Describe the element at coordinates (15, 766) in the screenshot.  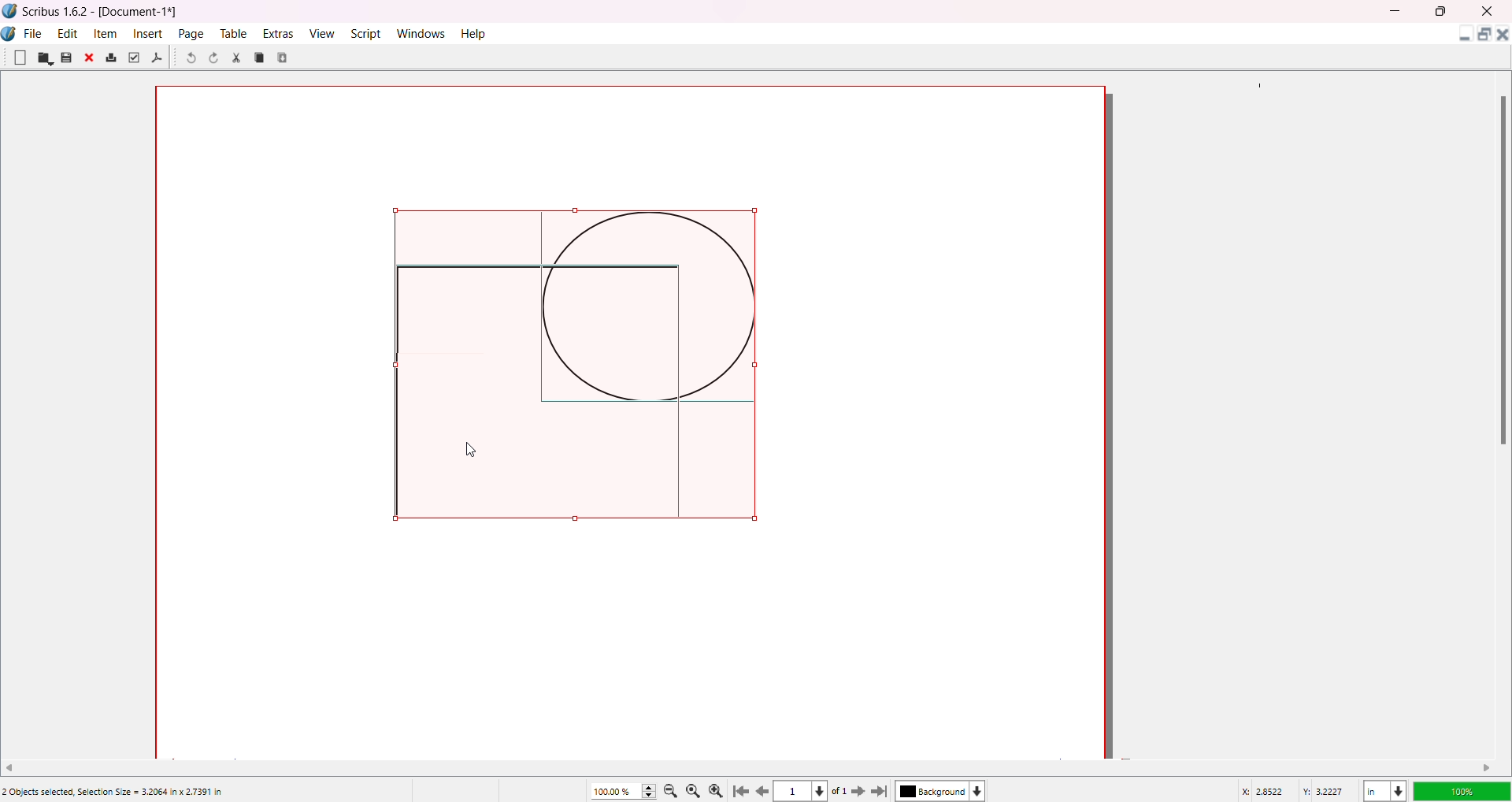
I see `Move Left` at that location.